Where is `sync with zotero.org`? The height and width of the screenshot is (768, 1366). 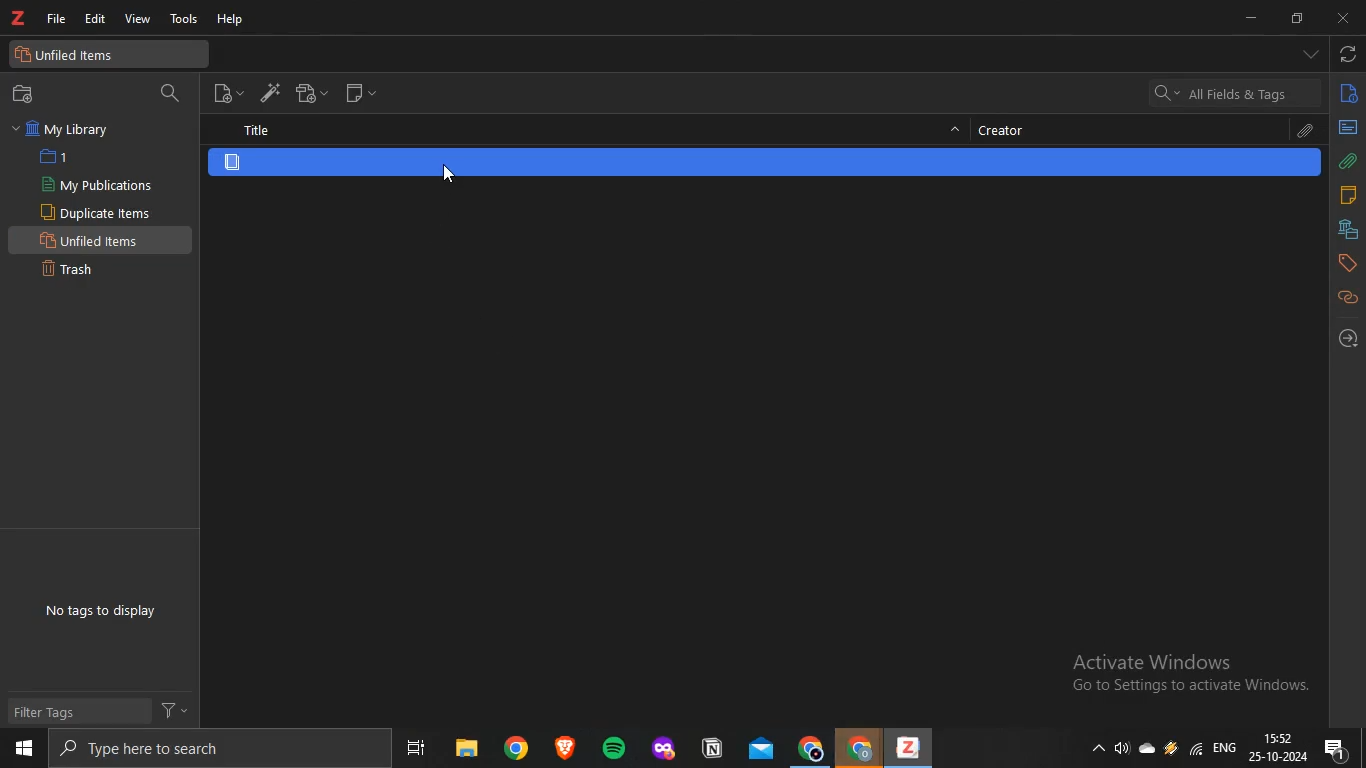 sync with zotero.org is located at coordinates (1349, 52).